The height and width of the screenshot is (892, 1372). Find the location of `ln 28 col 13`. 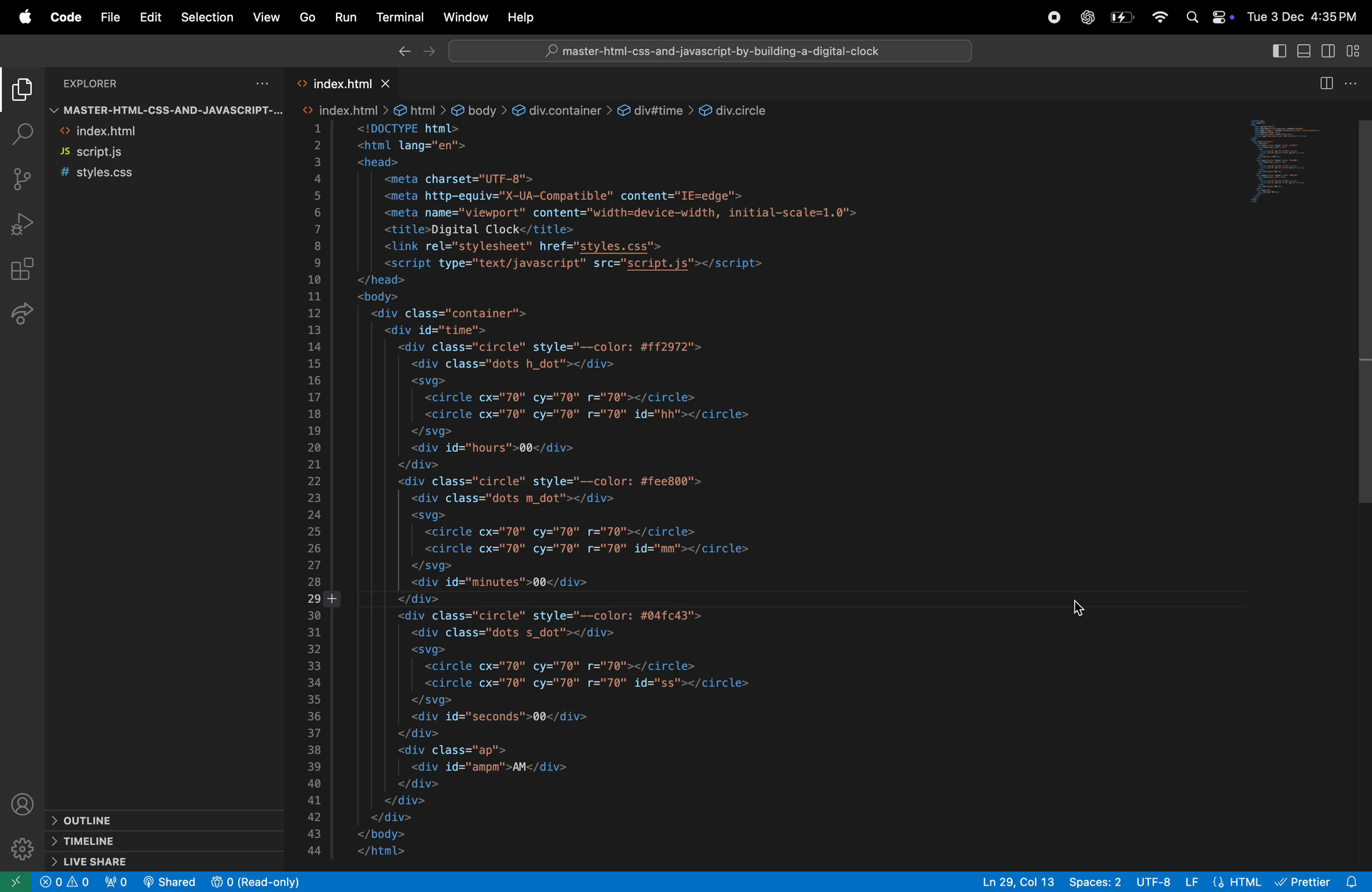

ln 28 col 13 is located at coordinates (1019, 880).